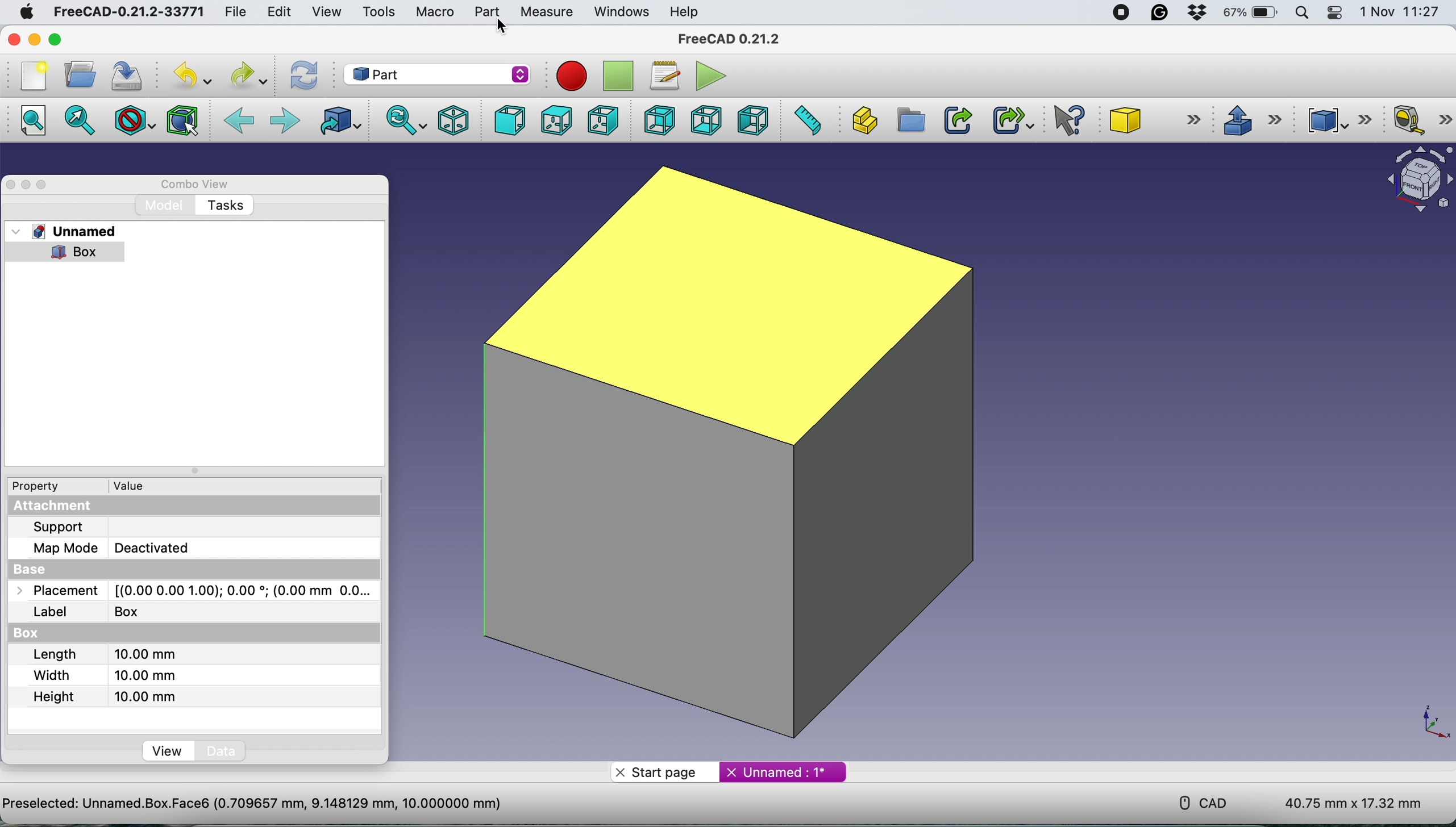 The image size is (1456, 827). Describe the element at coordinates (1422, 119) in the screenshot. I see `measure linear` at that location.